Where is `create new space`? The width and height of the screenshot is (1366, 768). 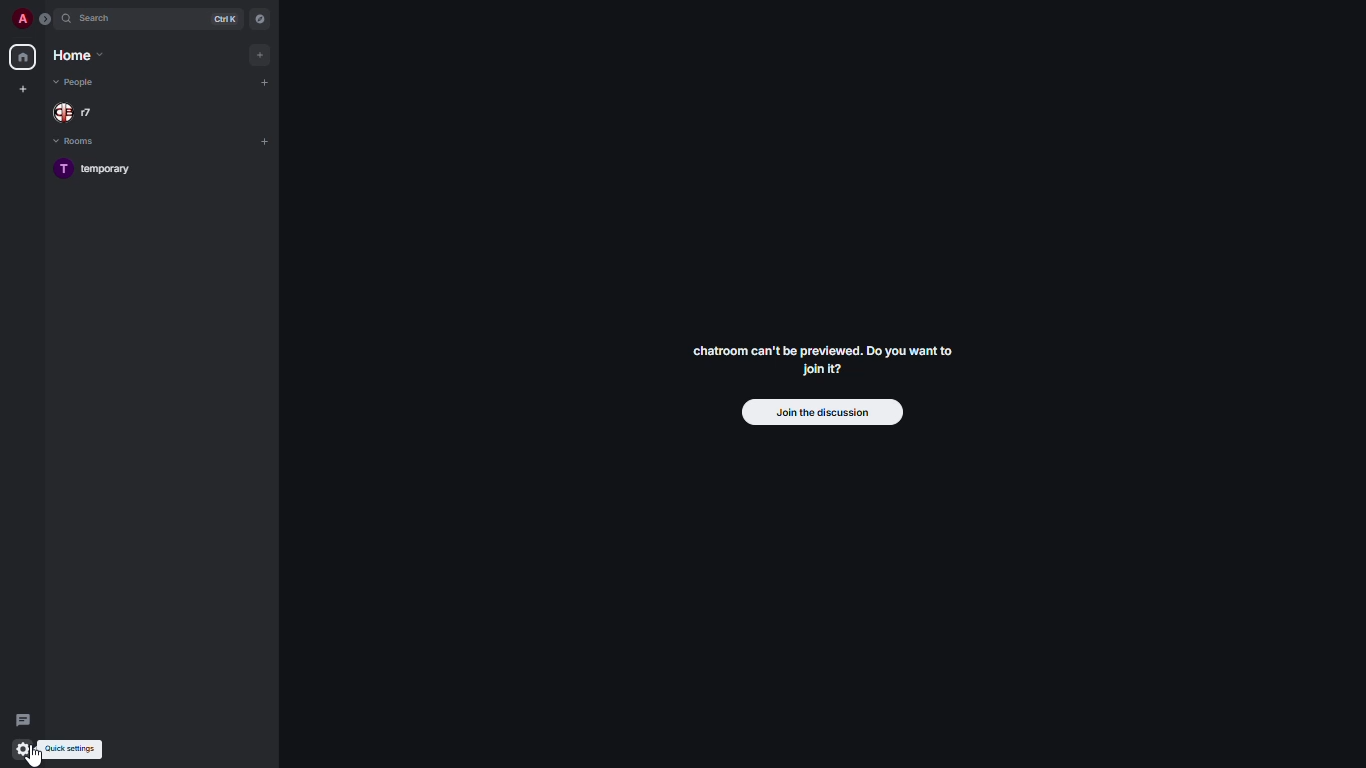 create new space is located at coordinates (24, 88).